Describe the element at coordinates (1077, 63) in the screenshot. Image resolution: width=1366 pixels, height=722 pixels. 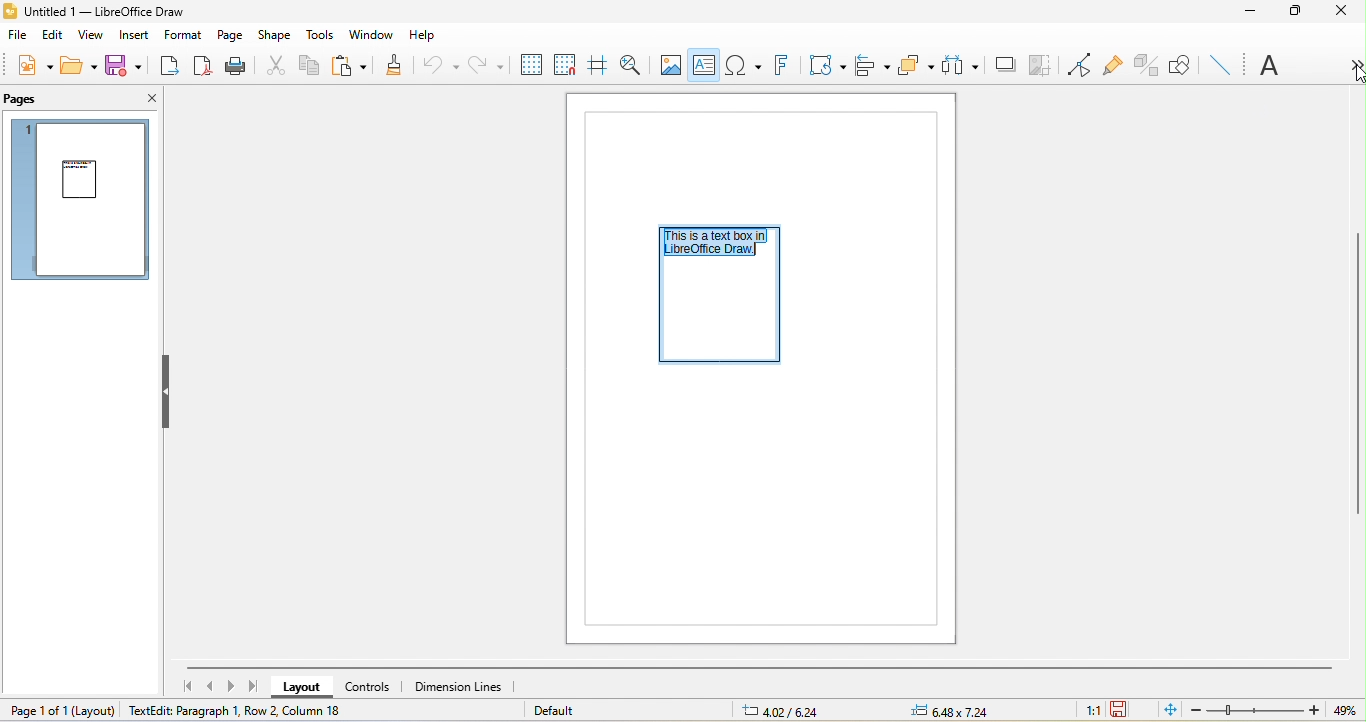
I see `toggle point edit mode` at that location.